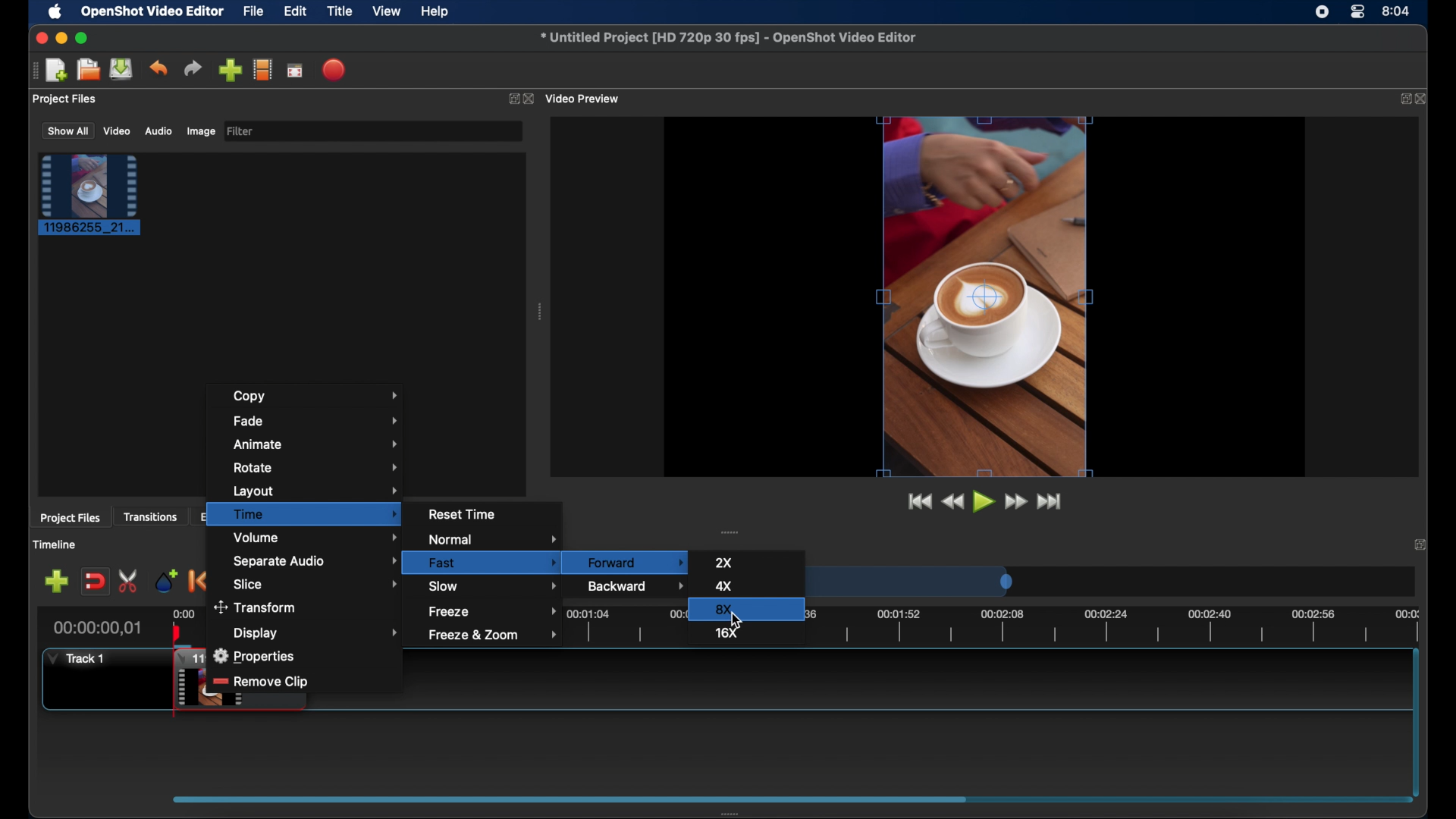  I want to click on time, so click(1397, 10).